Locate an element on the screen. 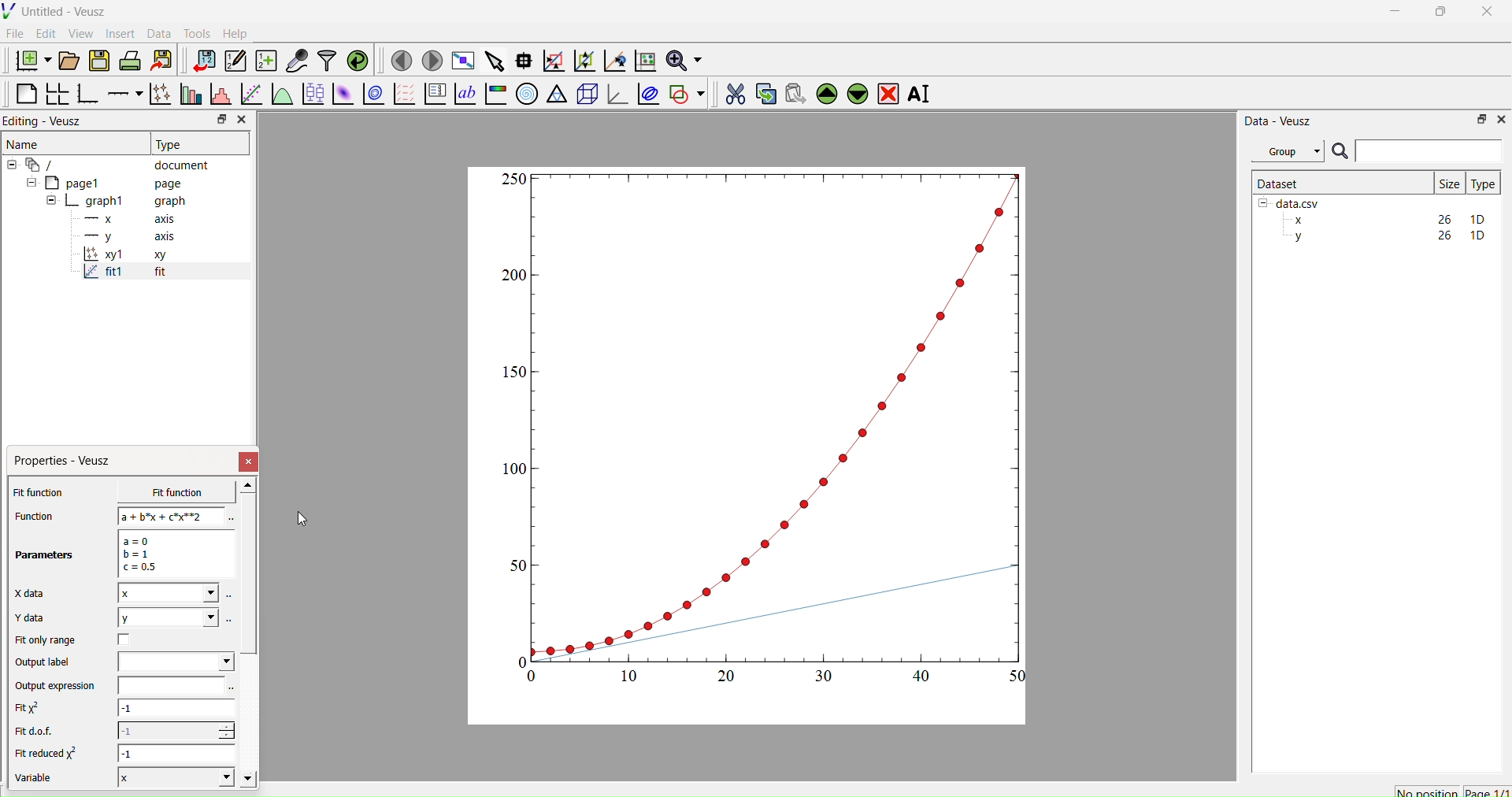 The width and height of the screenshot is (1512, 797). Type is located at coordinates (1483, 183).